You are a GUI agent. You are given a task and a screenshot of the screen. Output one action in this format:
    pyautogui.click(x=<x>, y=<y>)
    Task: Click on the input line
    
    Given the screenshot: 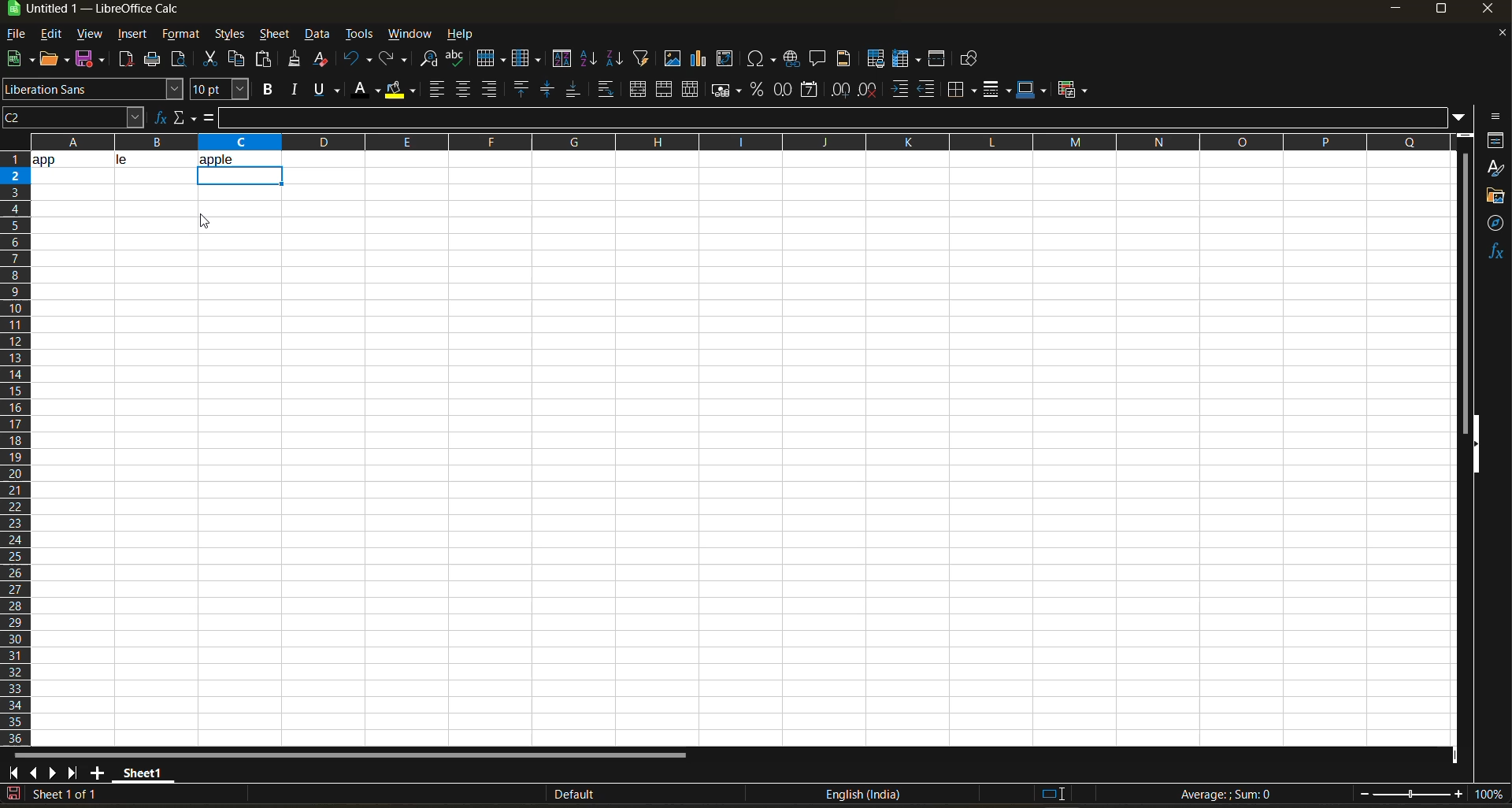 What is the action you would take?
    pyautogui.click(x=835, y=118)
    